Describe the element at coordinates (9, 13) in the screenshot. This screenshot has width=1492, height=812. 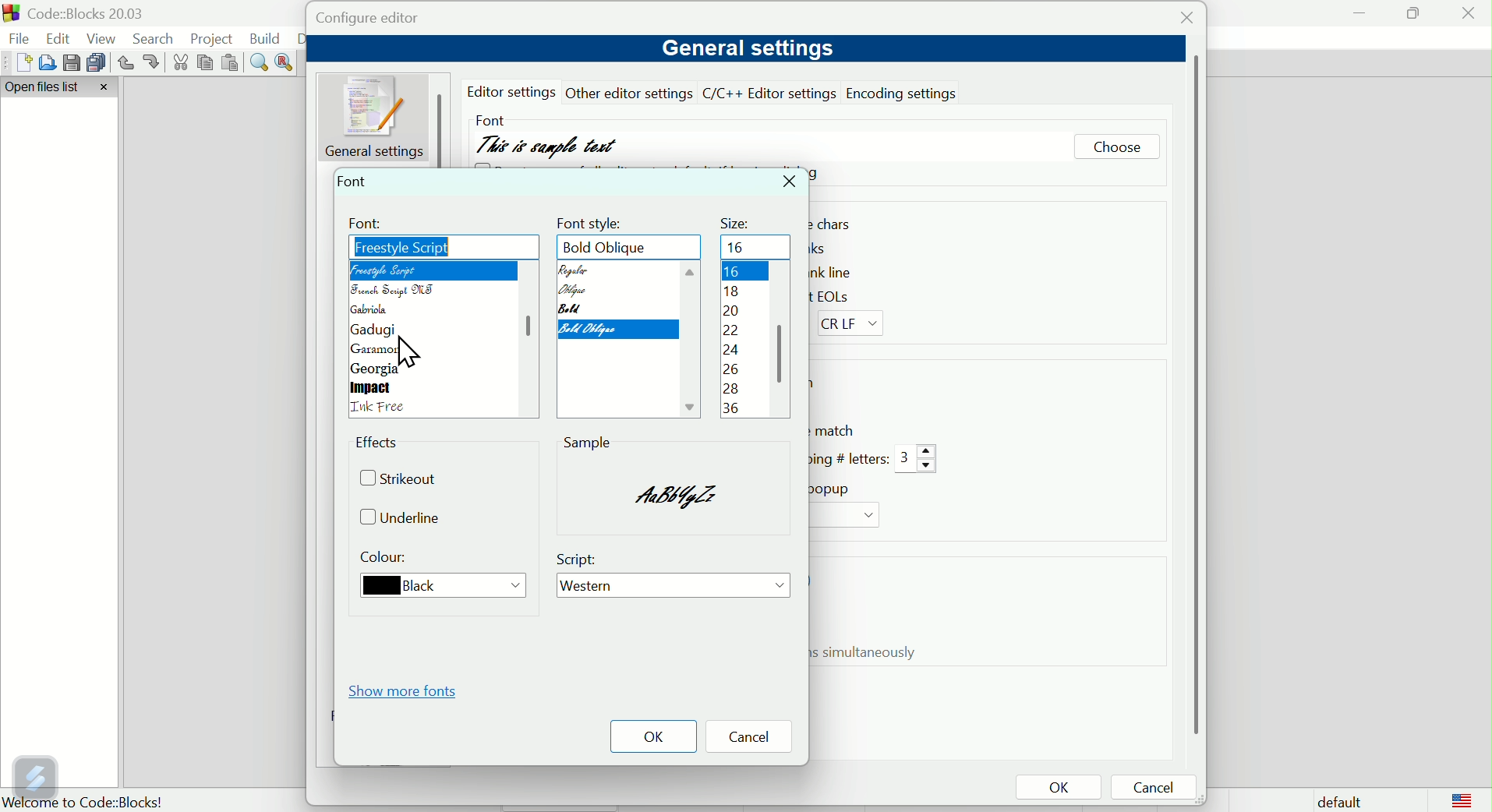
I see `app logo` at that location.